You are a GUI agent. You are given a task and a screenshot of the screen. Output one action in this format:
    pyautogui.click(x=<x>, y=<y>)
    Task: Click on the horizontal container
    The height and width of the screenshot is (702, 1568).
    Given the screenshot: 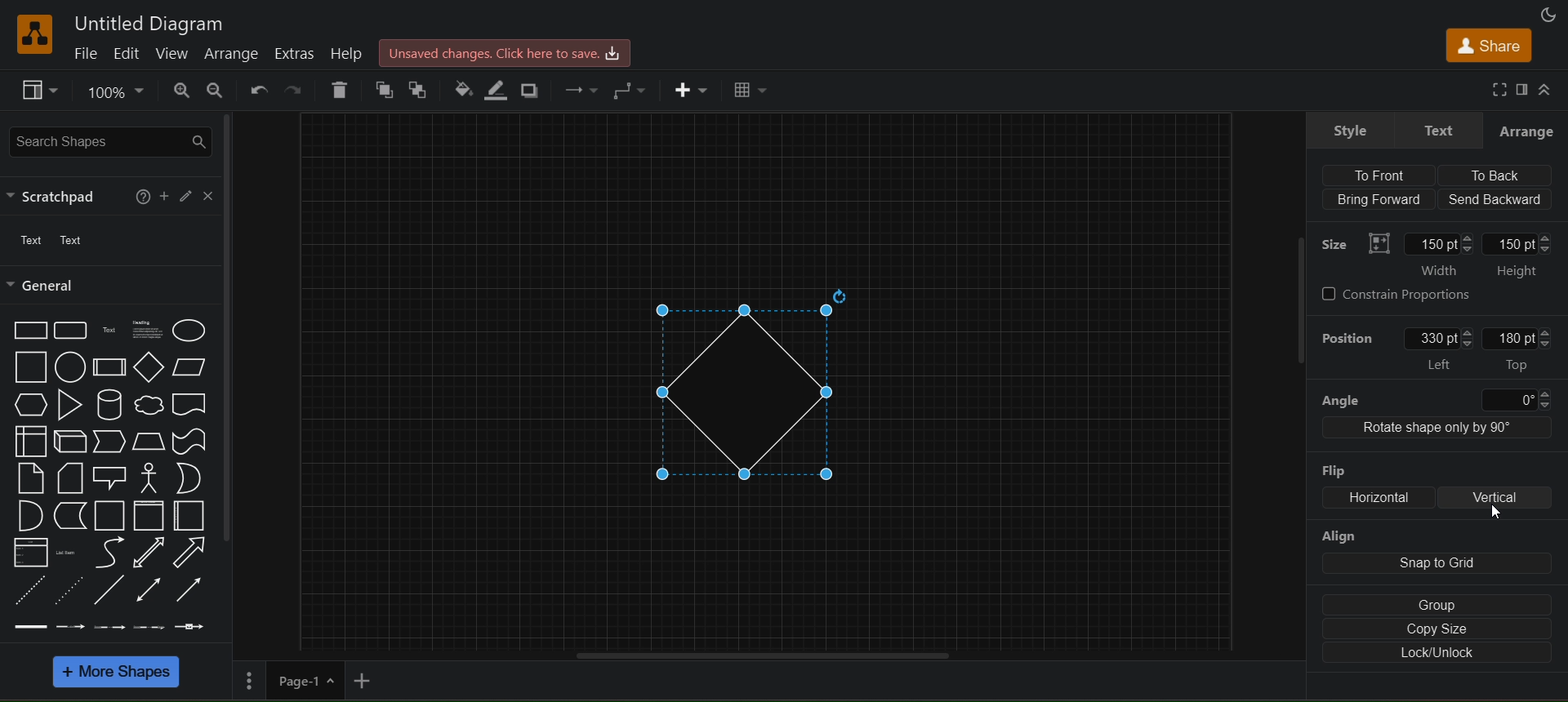 What is the action you would take?
    pyautogui.click(x=189, y=514)
    